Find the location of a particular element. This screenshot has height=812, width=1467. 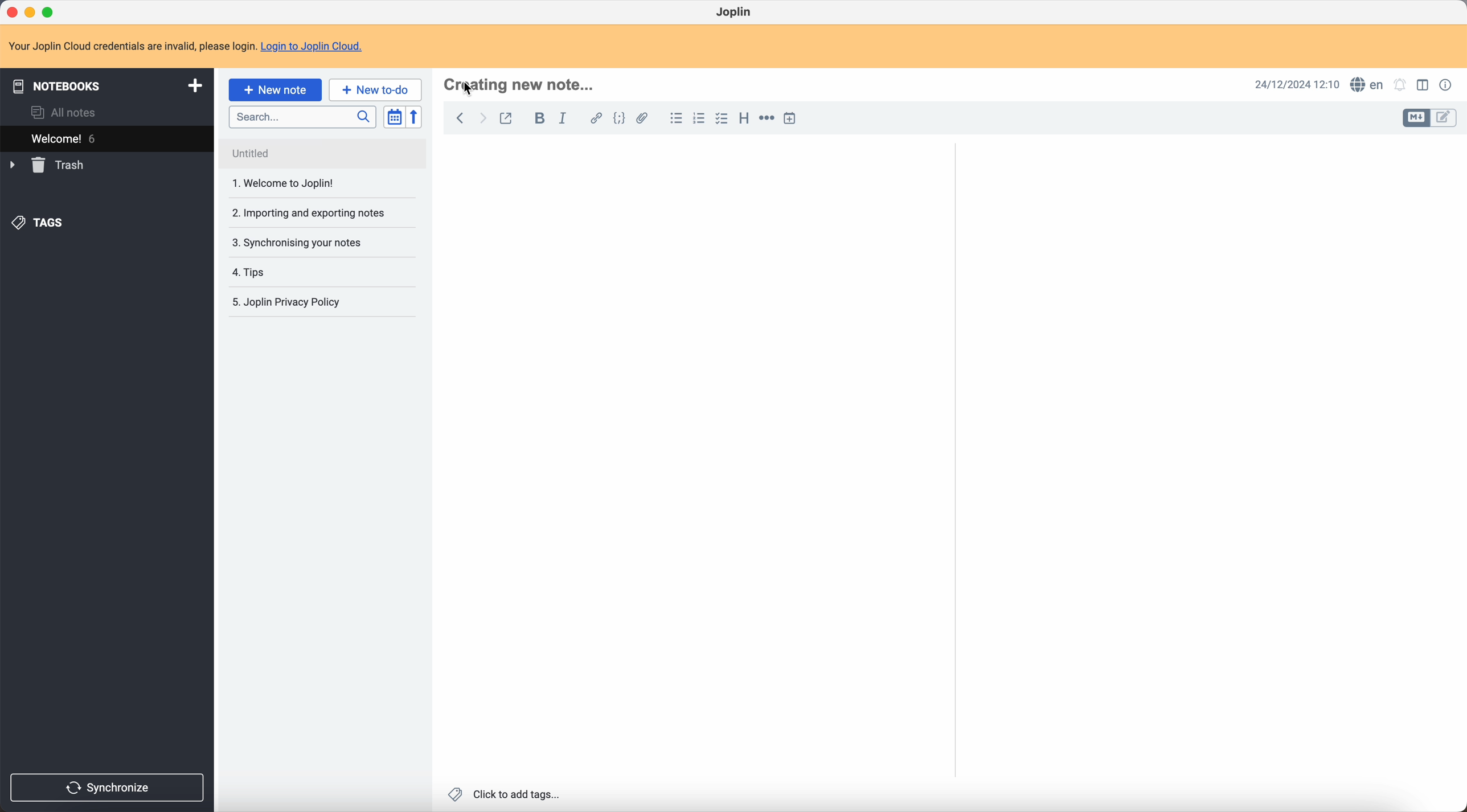

Untitled is located at coordinates (317, 151).